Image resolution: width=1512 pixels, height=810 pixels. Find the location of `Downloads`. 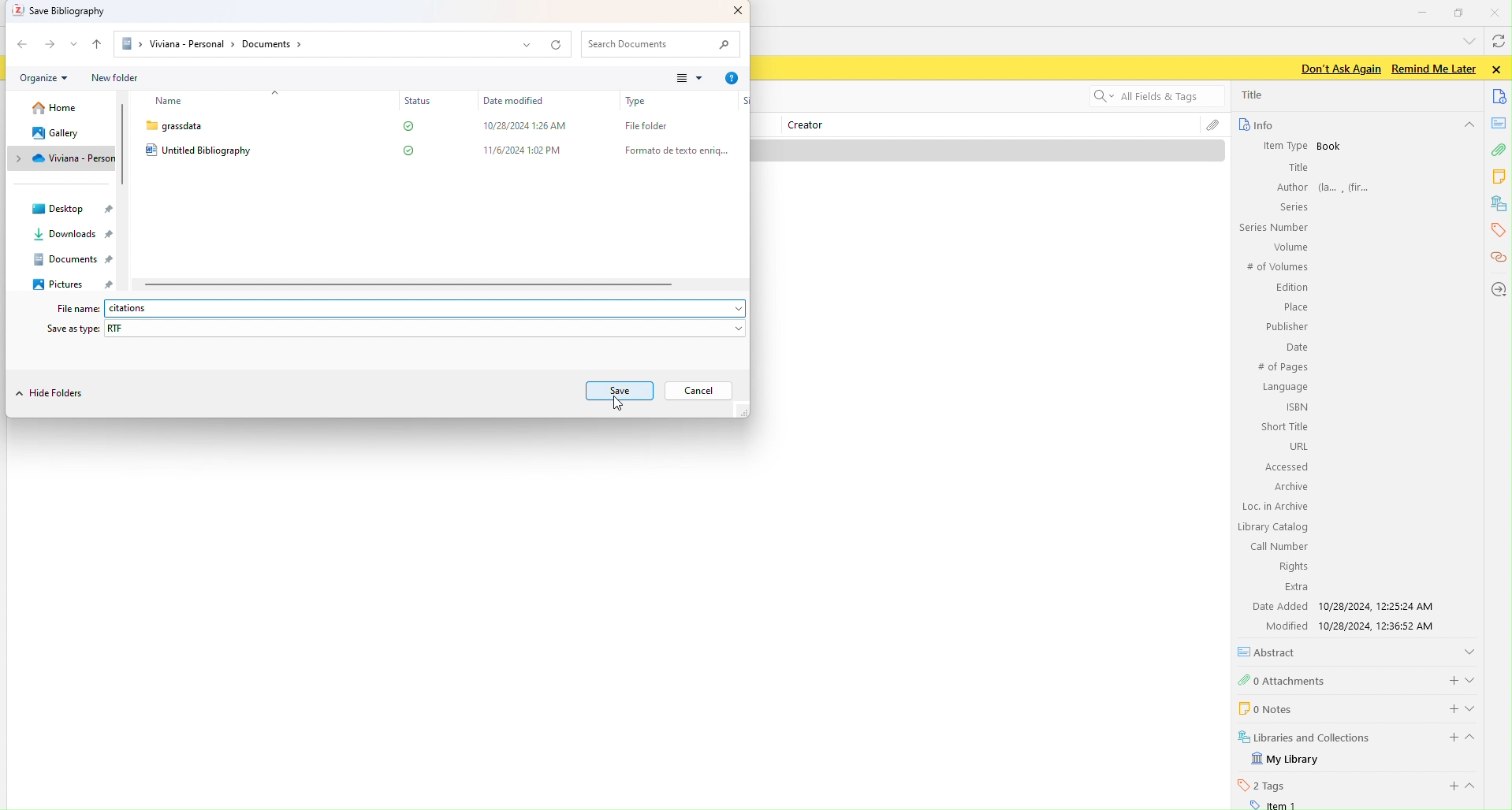

Downloads is located at coordinates (65, 237).